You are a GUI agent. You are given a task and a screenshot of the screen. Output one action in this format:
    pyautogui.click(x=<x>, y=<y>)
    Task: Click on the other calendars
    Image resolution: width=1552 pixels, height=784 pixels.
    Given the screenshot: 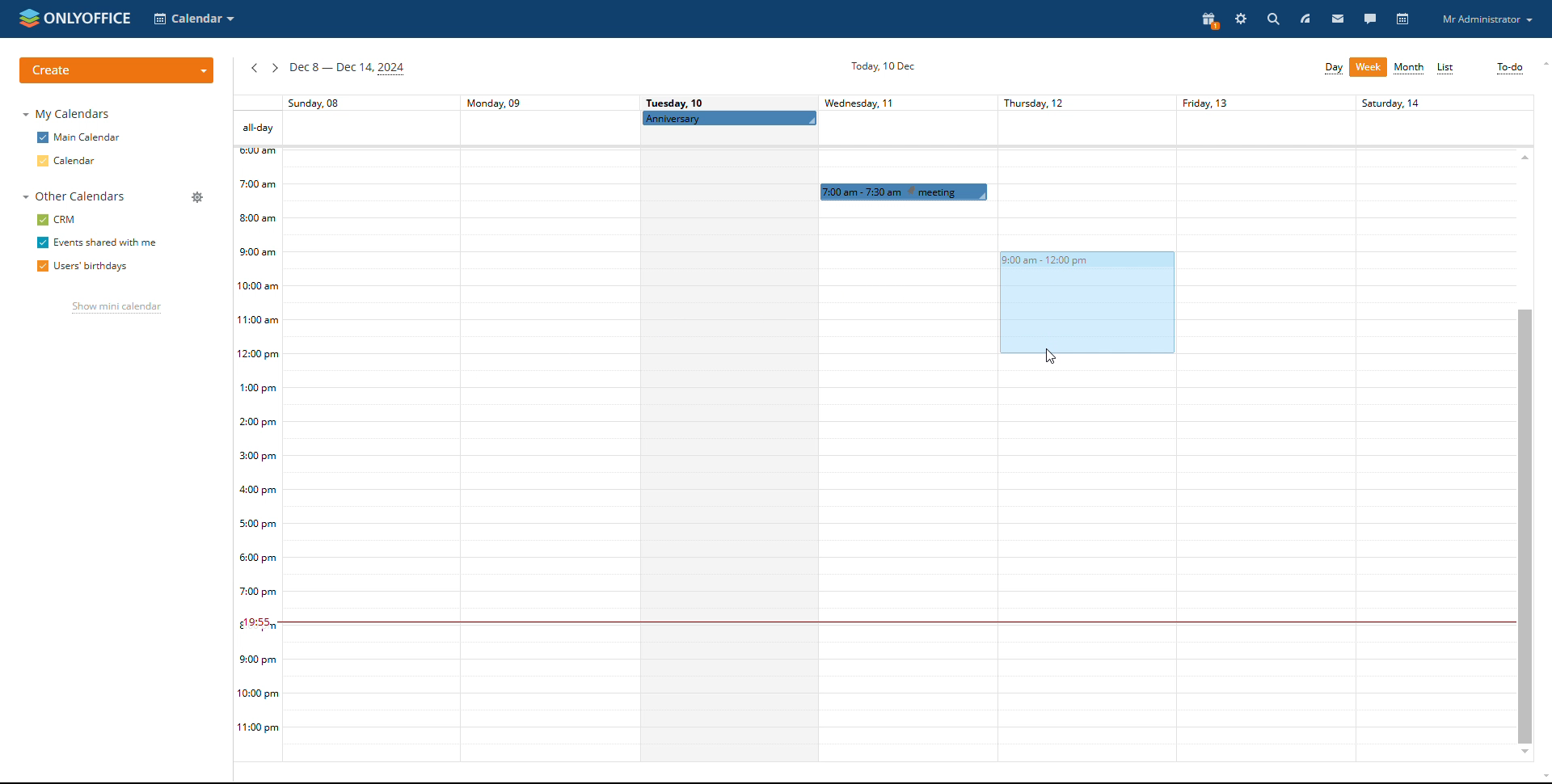 What is the action you would take?
    pyautogui.click(x=72, y=196)
    